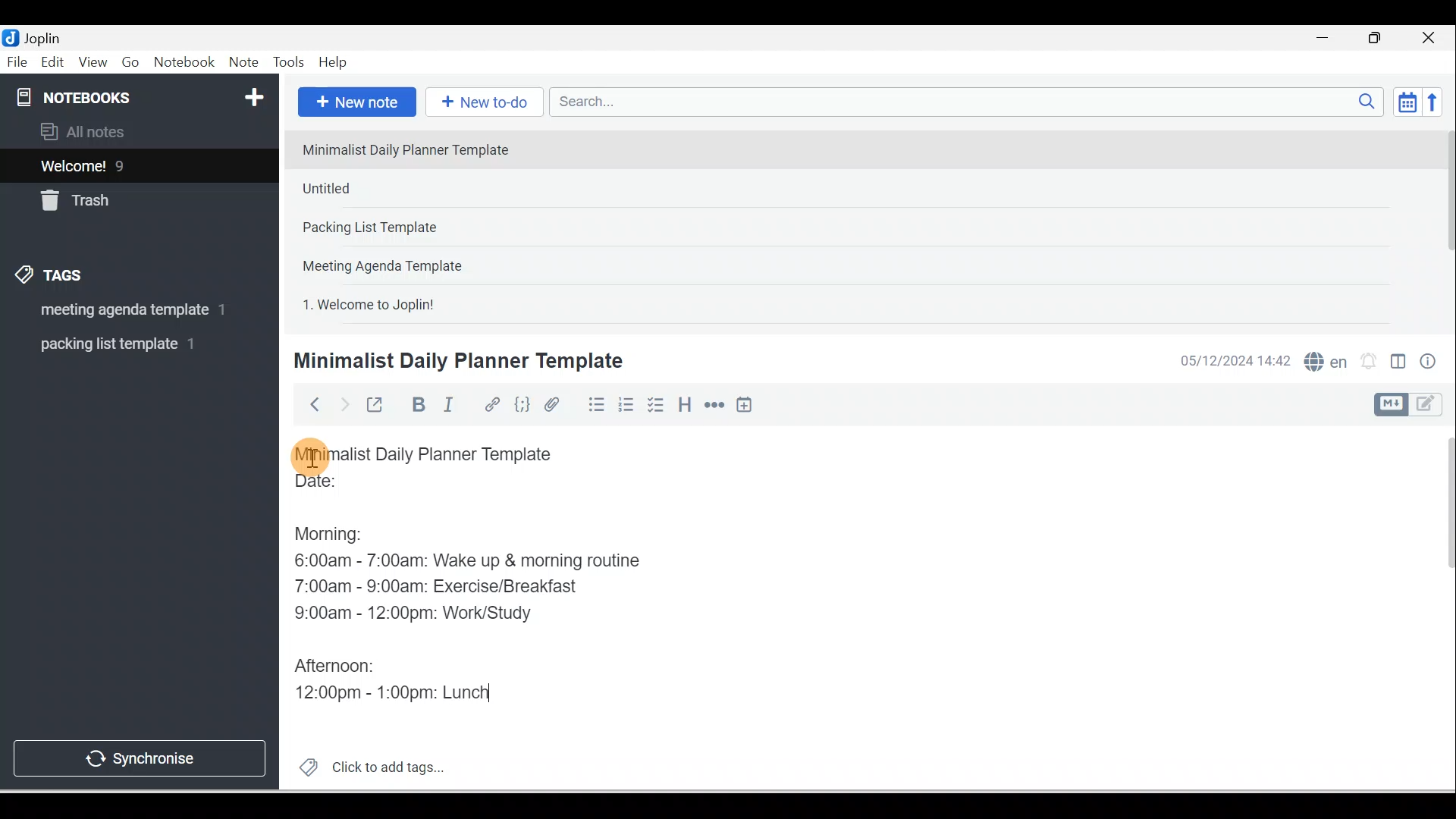  I want to click on Set alarm, so click(1367, 362).